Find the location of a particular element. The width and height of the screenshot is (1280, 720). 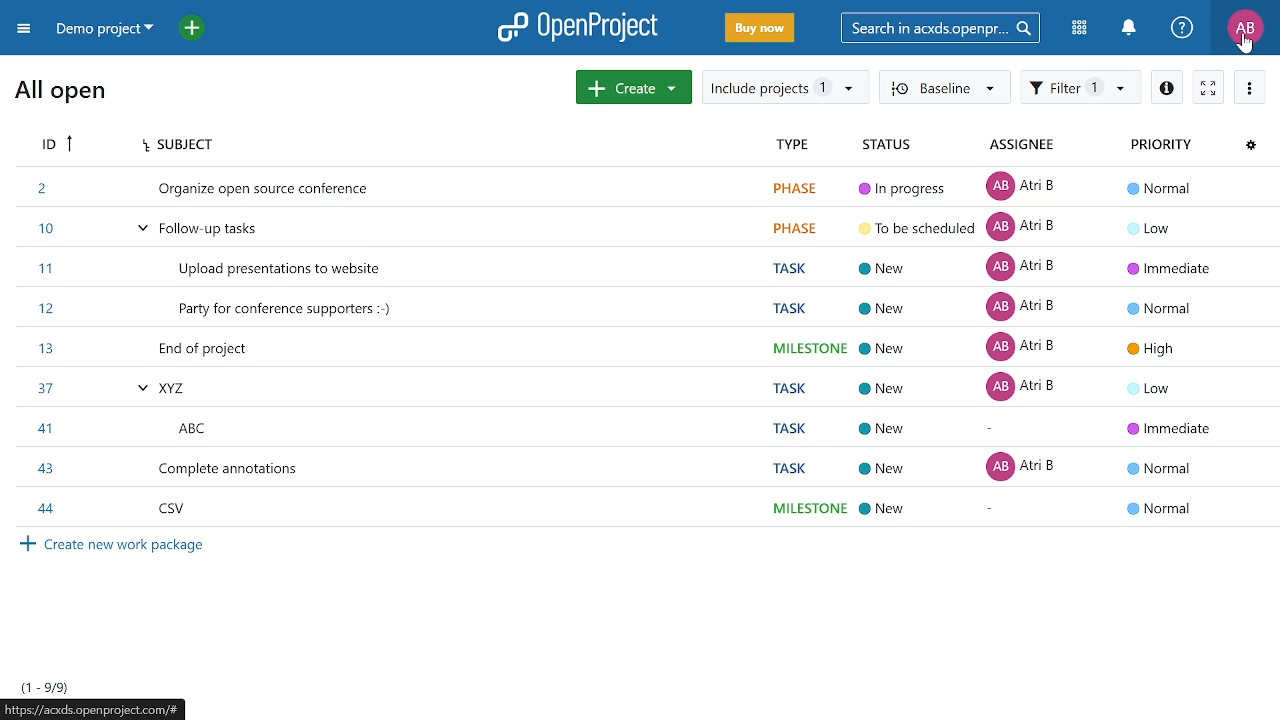

Activate zen mode is located at coordinates (1207, 86).